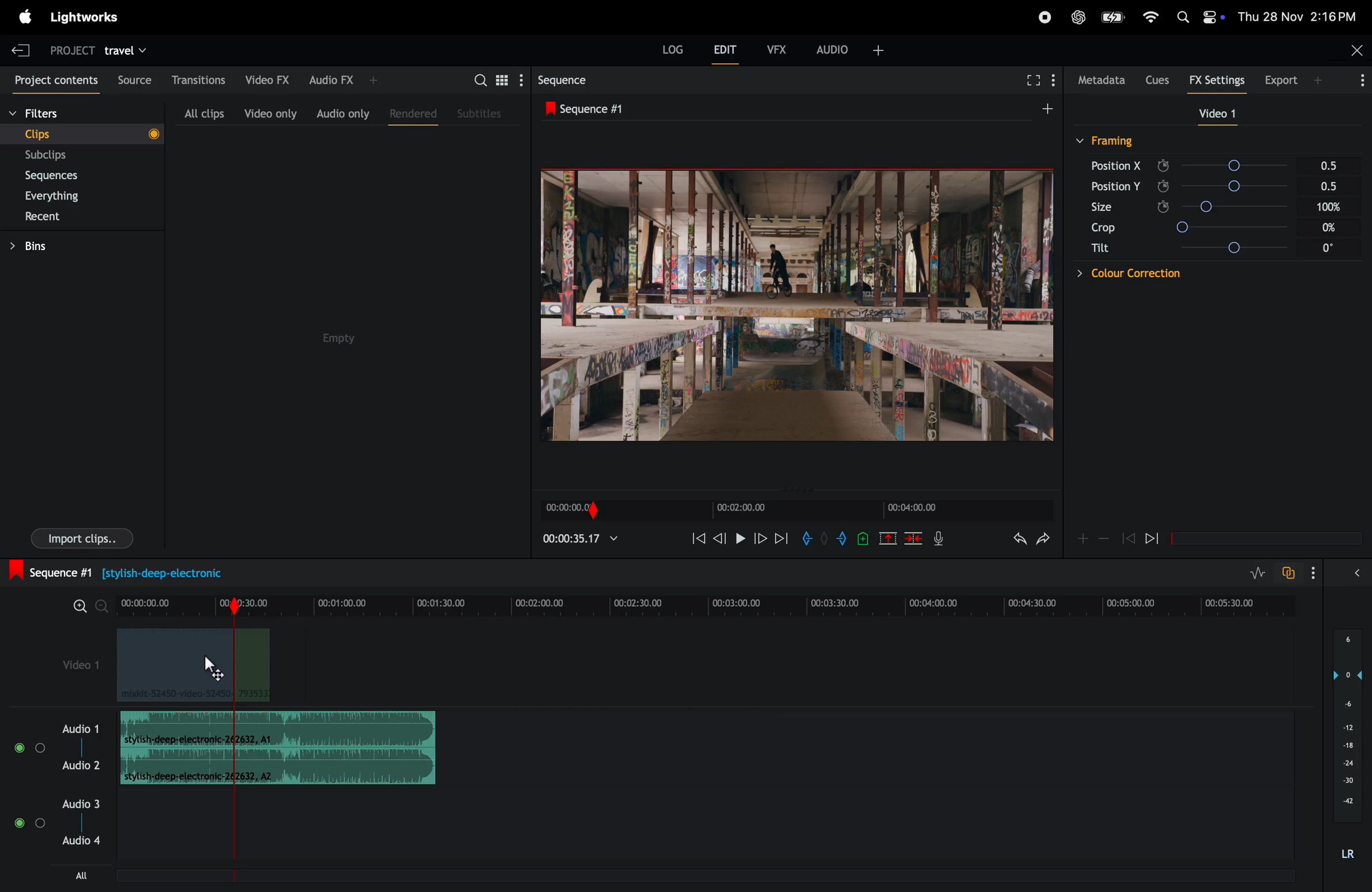  I want to click on video only, so click(268, 113).